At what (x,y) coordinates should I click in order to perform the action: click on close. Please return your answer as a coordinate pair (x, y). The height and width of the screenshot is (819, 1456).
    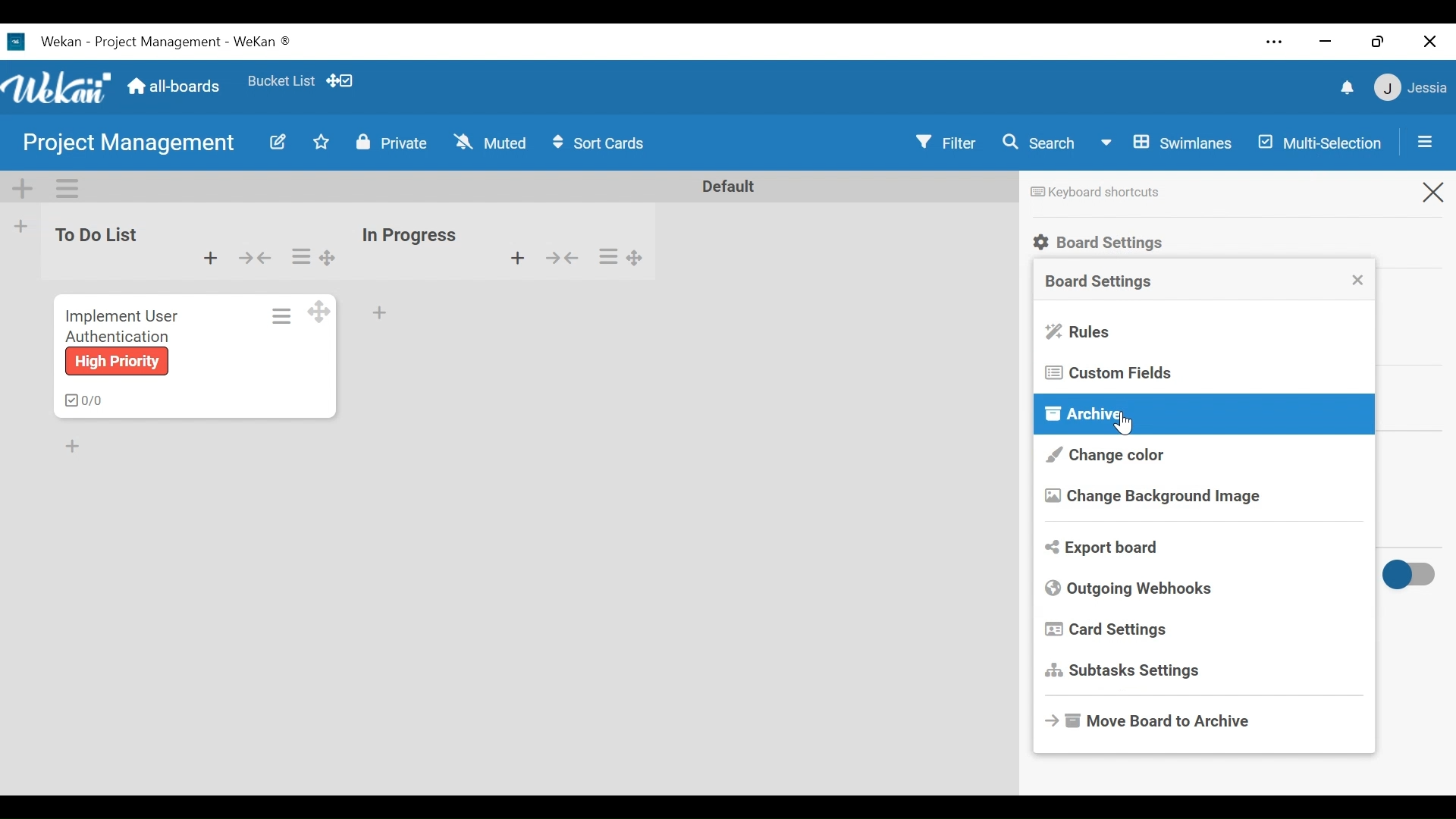
    Looking at the image, I should click on (1430, 42).